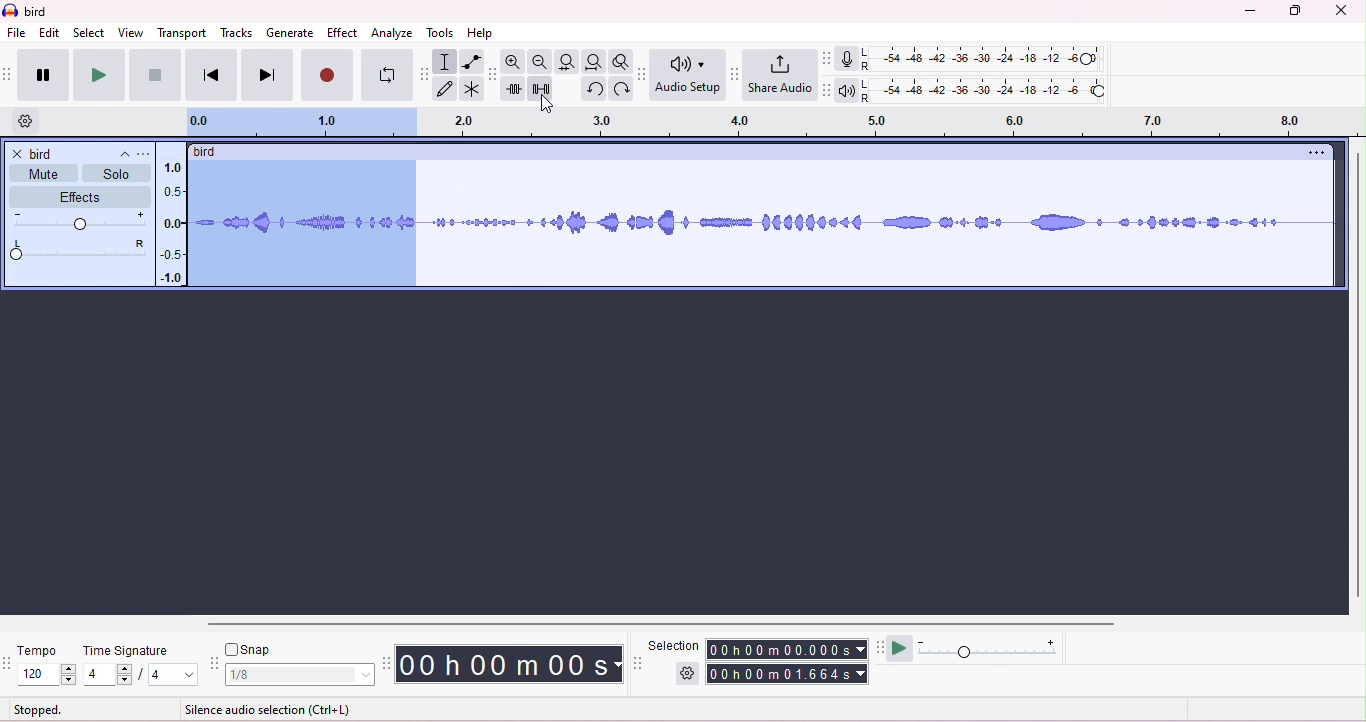 This screenshot has height=722, width=1366. Describe the element at coordinates (9, 659) in the screenshot. I see `time signature toolbar` at that location.